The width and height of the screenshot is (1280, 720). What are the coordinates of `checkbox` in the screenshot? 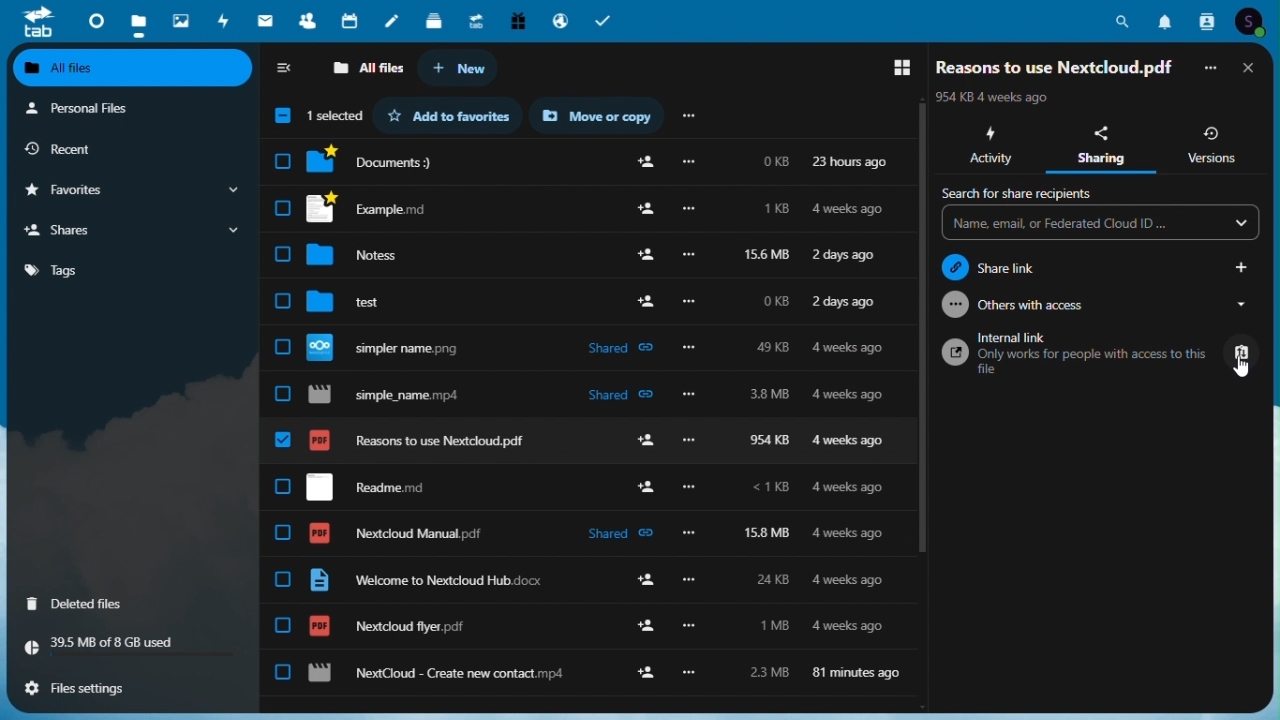 It's located at (284, 488).